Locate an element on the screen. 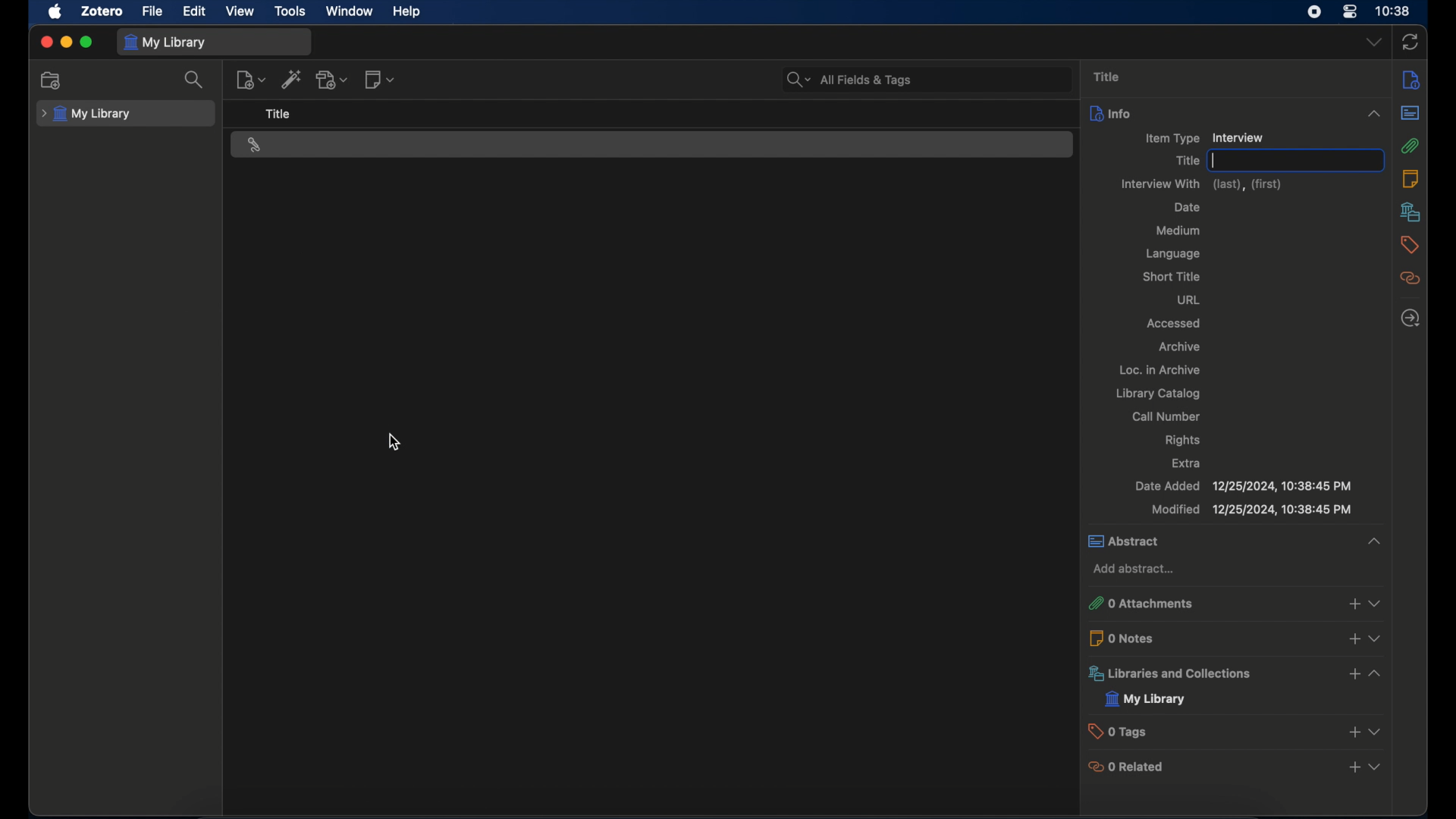  title is located at coordinates (278, 115).